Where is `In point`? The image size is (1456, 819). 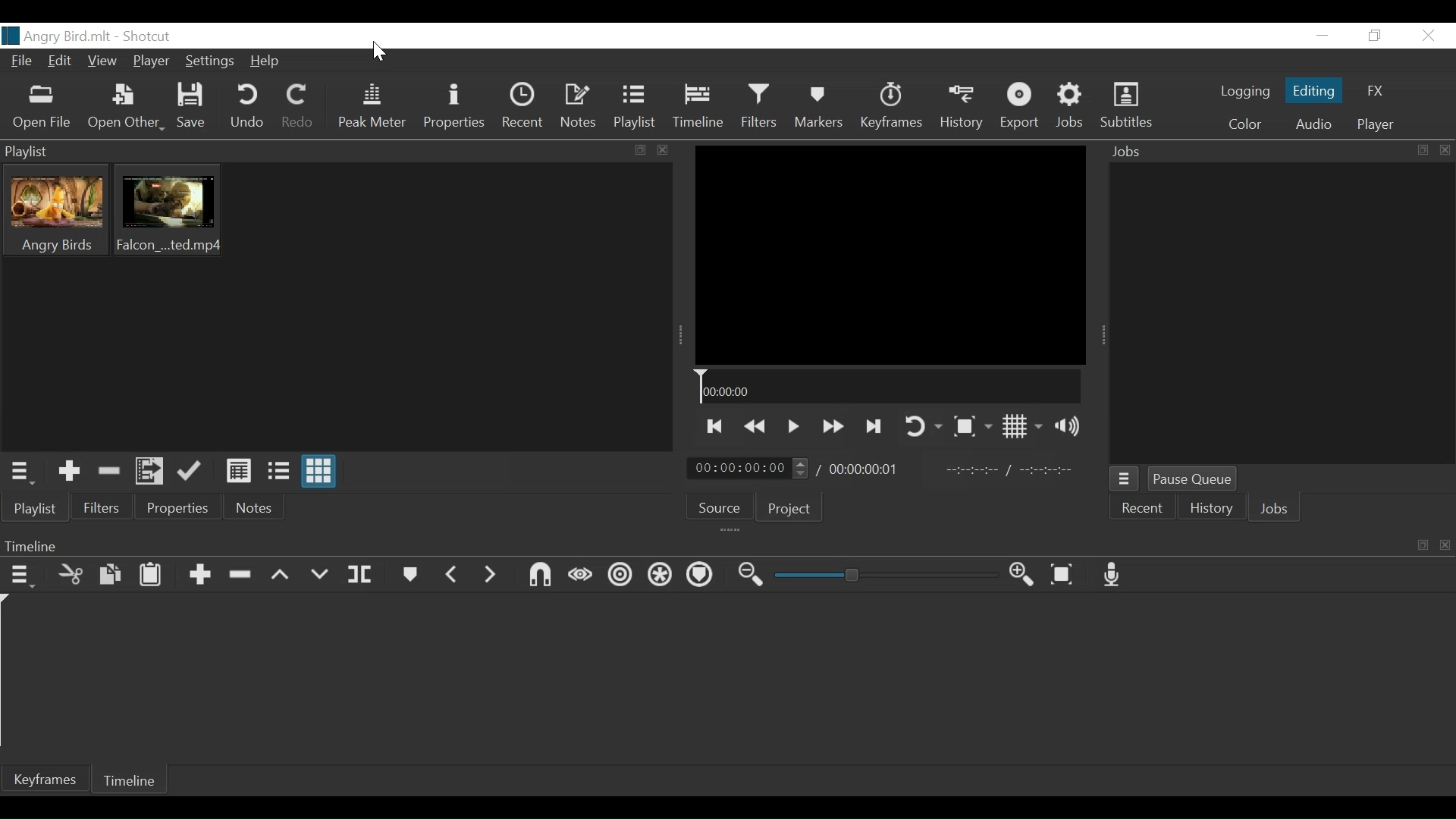 In point is located at coordinates (1014, 469).